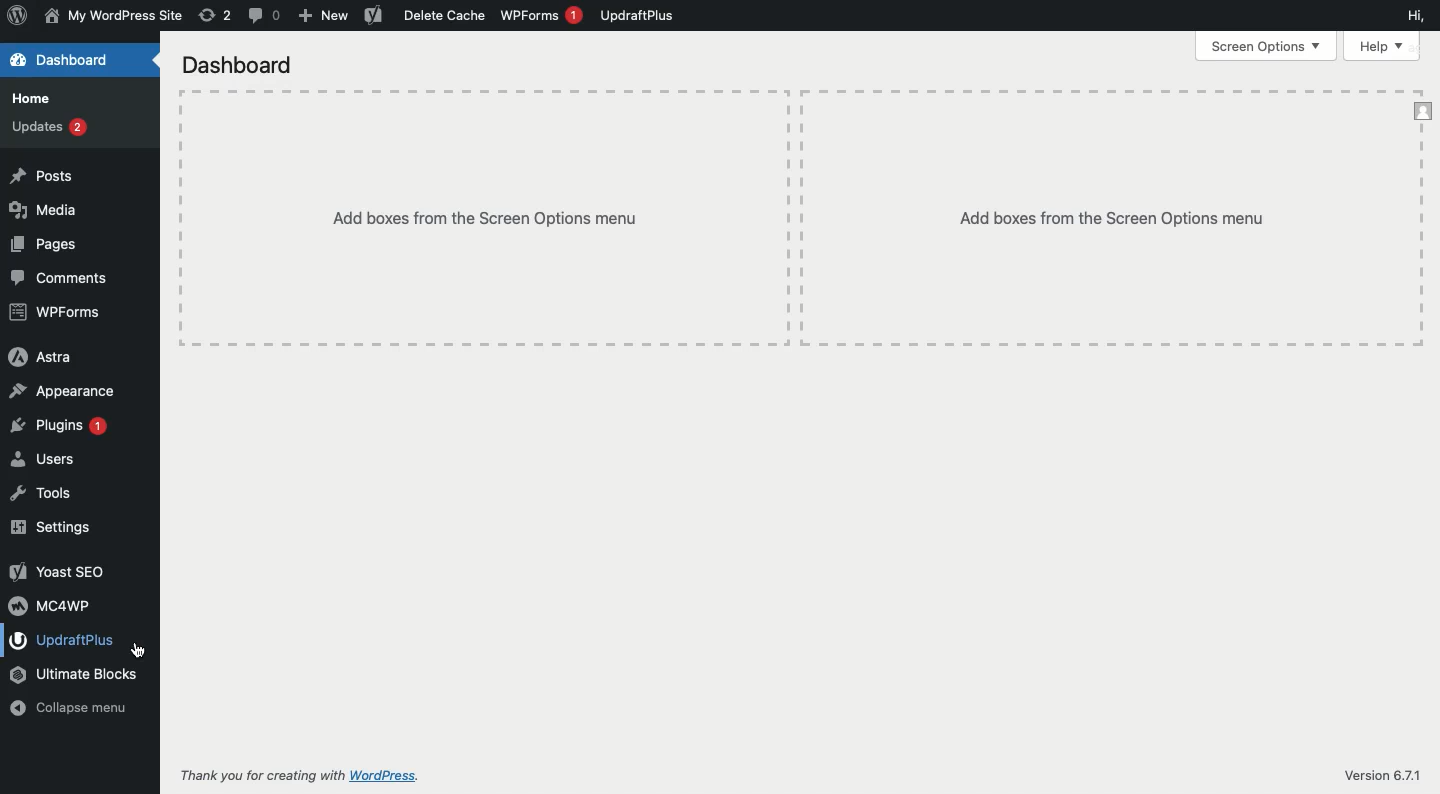  I want to click on Hi,, so click(1418, 14).